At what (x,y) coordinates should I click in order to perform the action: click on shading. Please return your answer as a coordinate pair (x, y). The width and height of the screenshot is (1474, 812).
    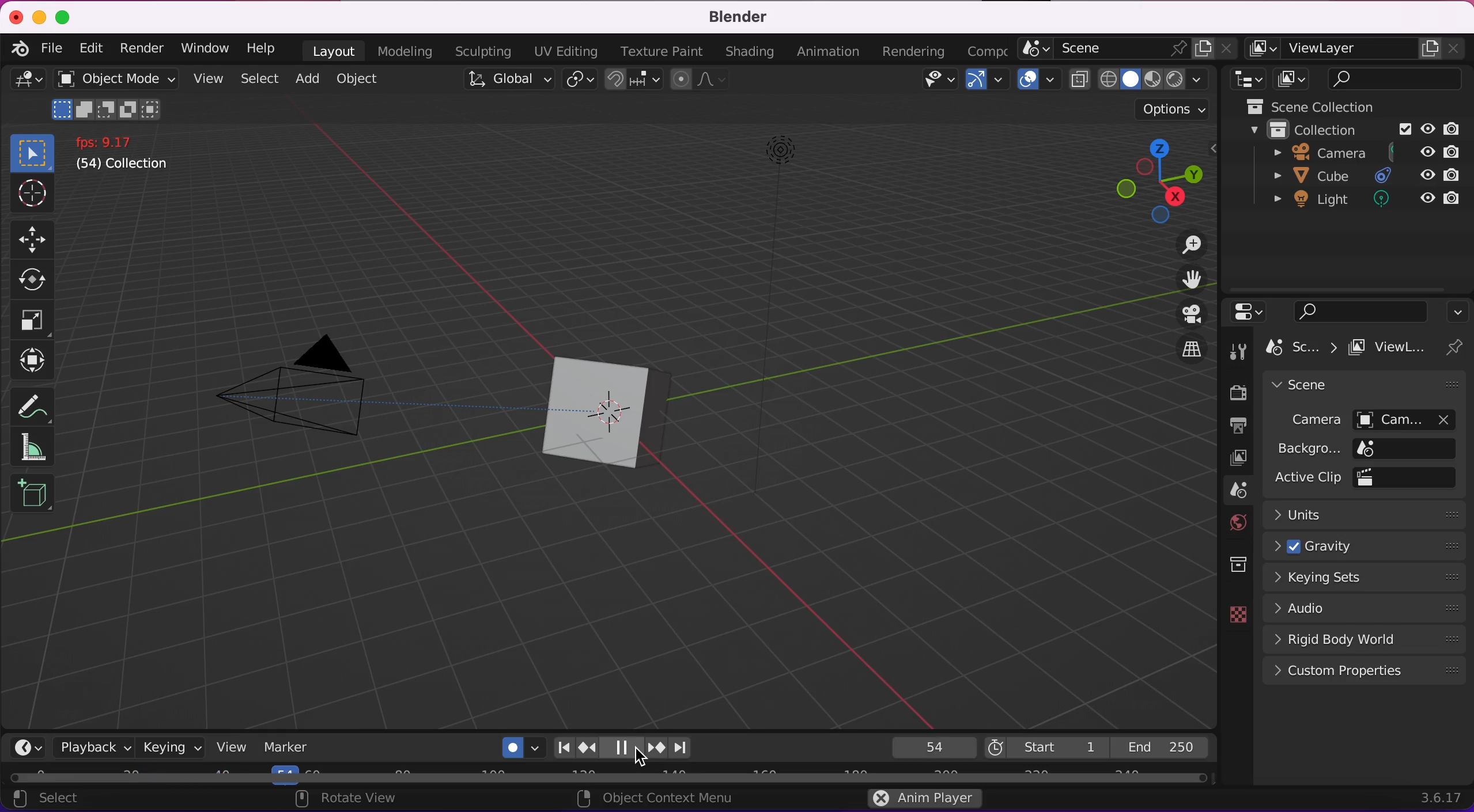
    Looking at the image, I should click on (750, 51).